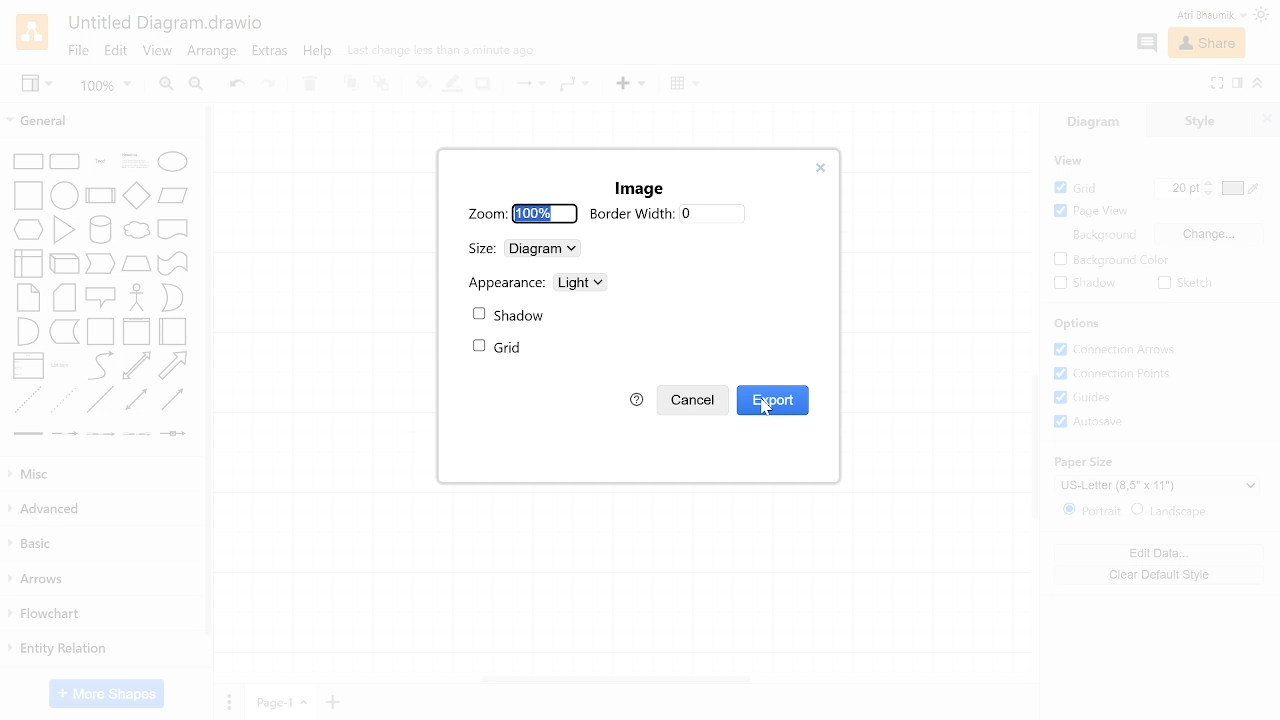 This screenshot has width=1280, height=720. I want to click on Connection, so click(527, 84).